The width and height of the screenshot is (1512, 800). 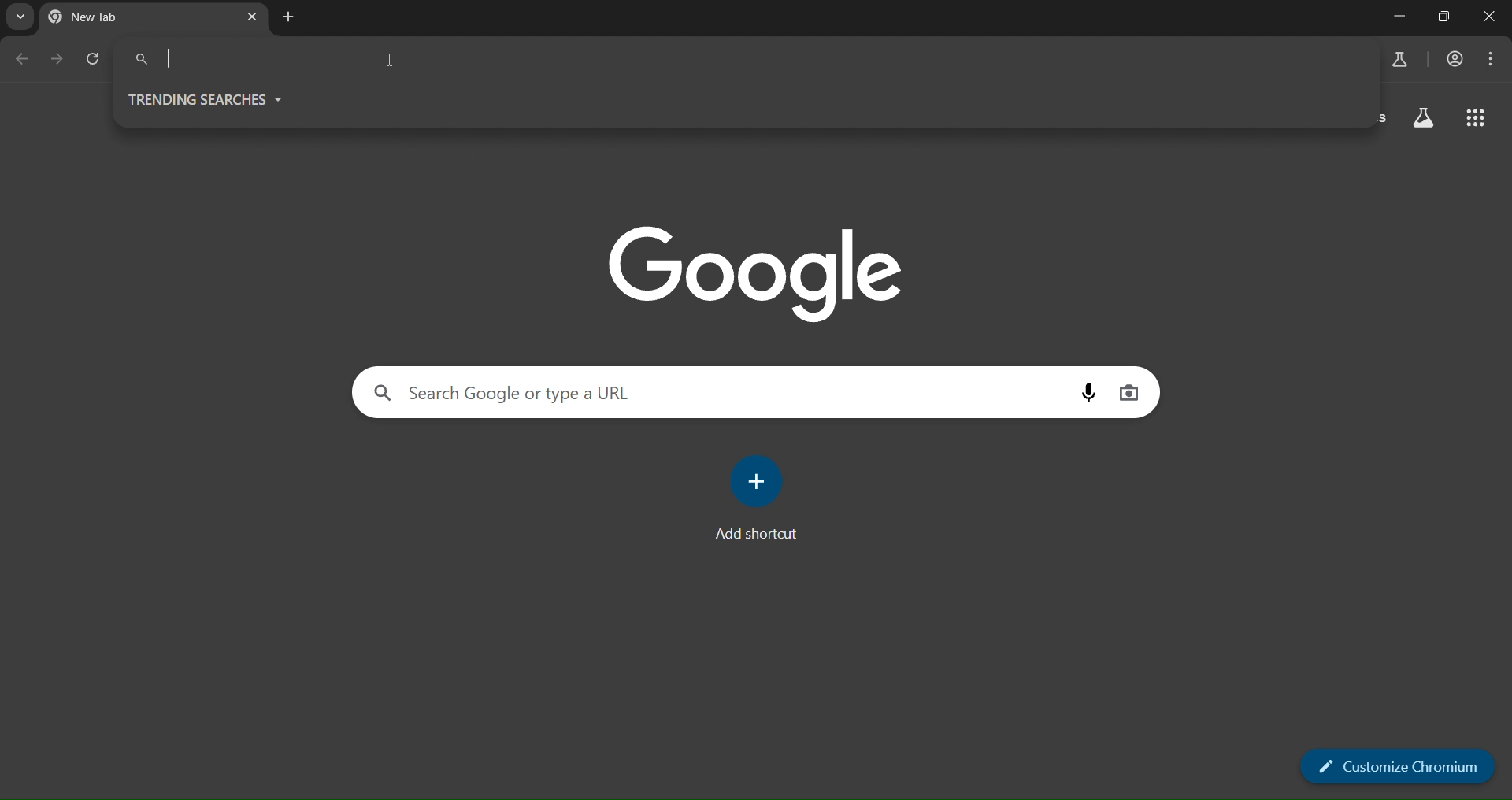 I want to click on google apps, so click(x=1479, y=120).